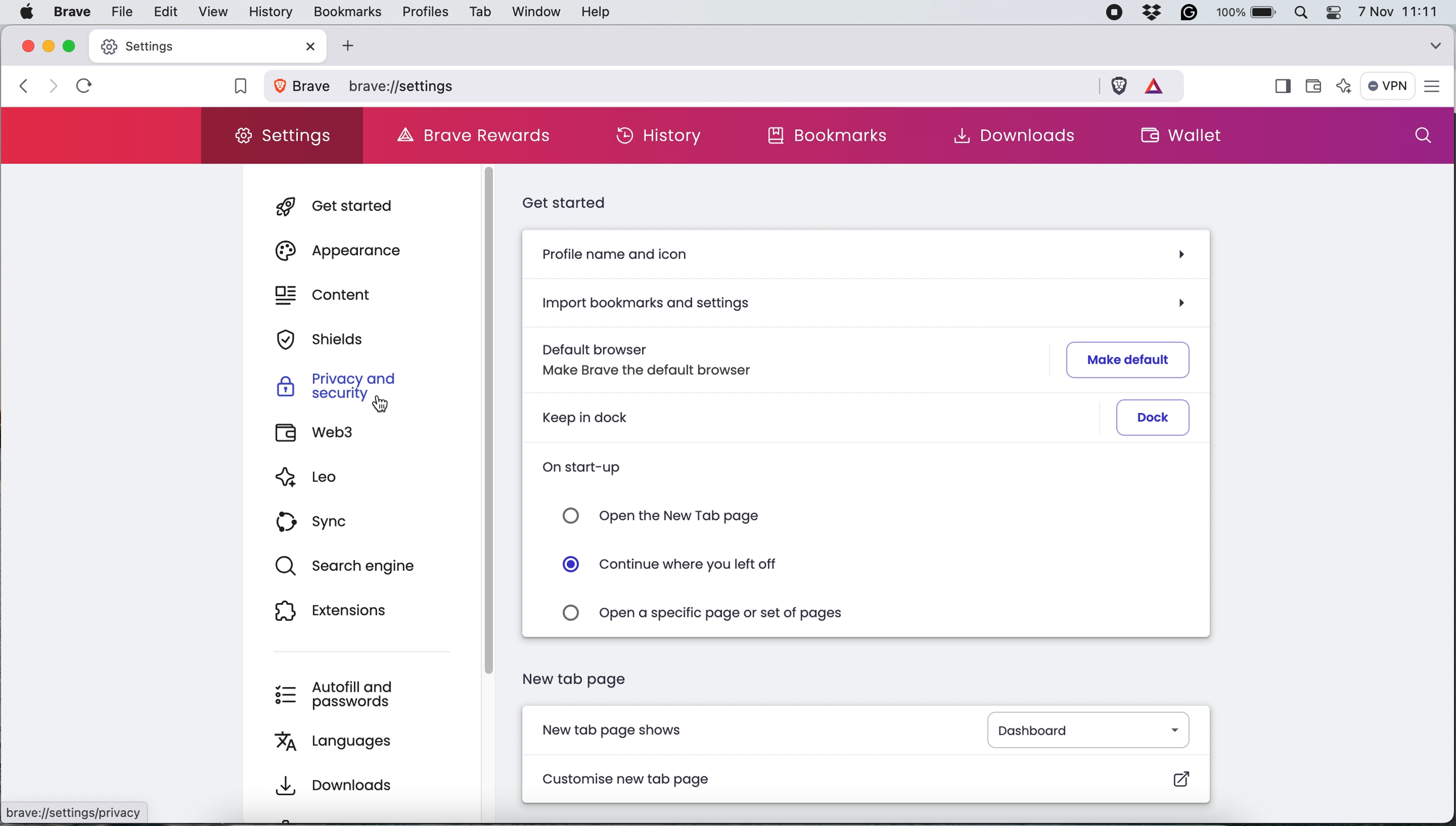 The width and height of the screenshot is (1456, 826). What do you see at coordinates (1006, 136) in the screenshot?
I see `downloads` at bounding box center [1006, 136].